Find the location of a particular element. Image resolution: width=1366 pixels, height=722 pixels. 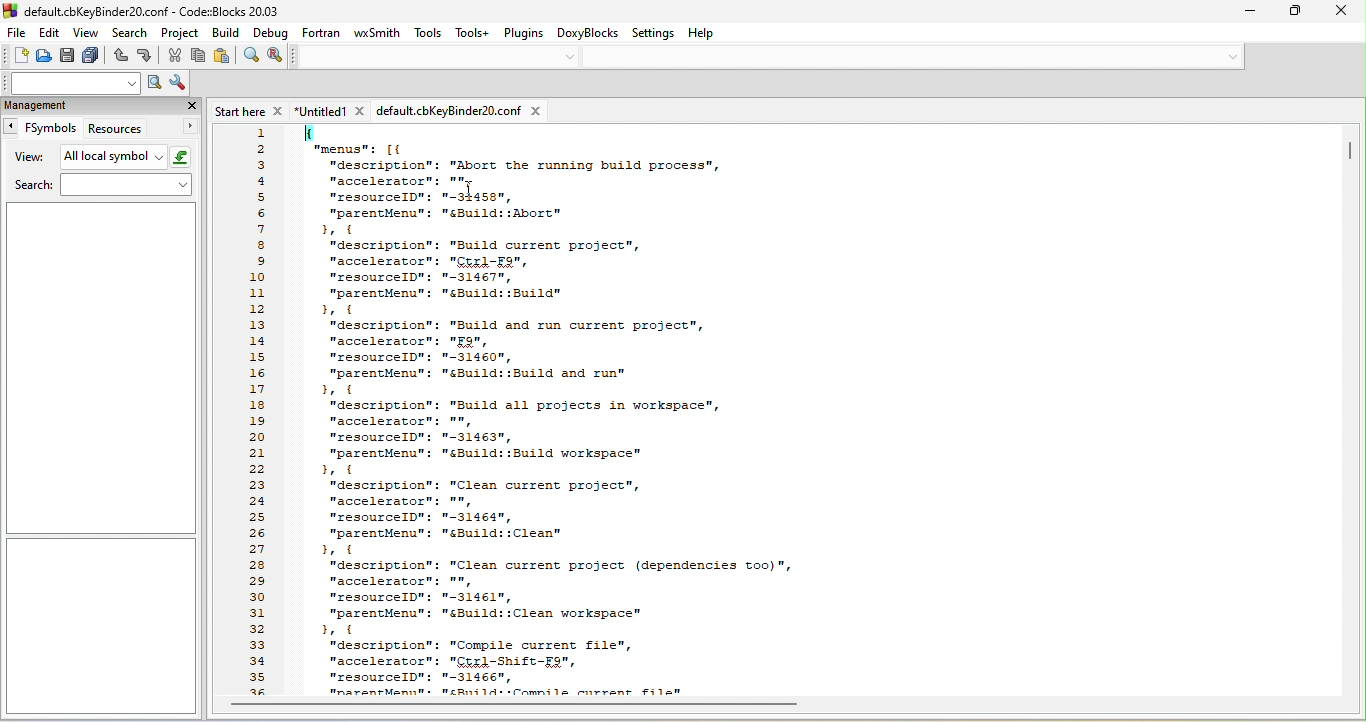

untitled1 is located at coordinates (330, 110).